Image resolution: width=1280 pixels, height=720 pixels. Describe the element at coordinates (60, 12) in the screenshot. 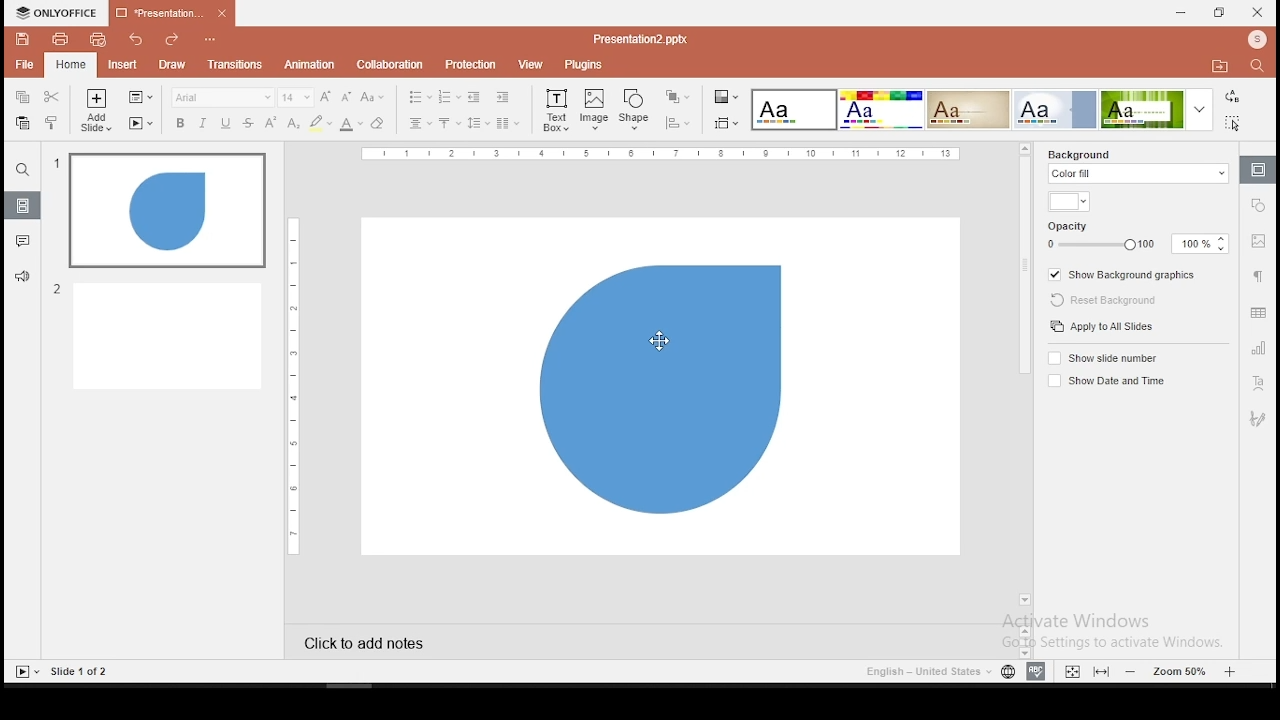

I see `icon` at that location.